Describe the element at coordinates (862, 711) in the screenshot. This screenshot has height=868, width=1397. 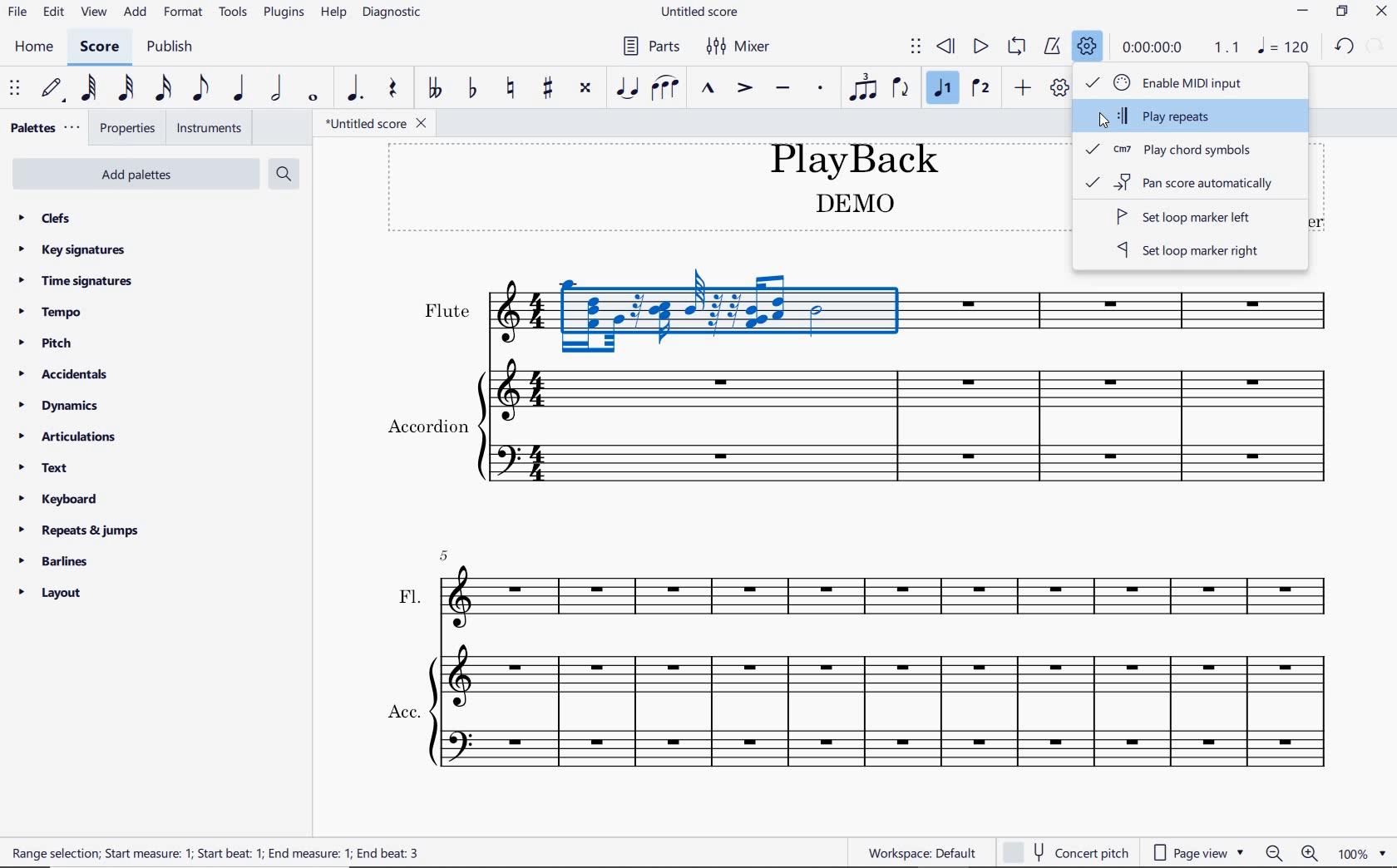
I see `ACC.` at that location.